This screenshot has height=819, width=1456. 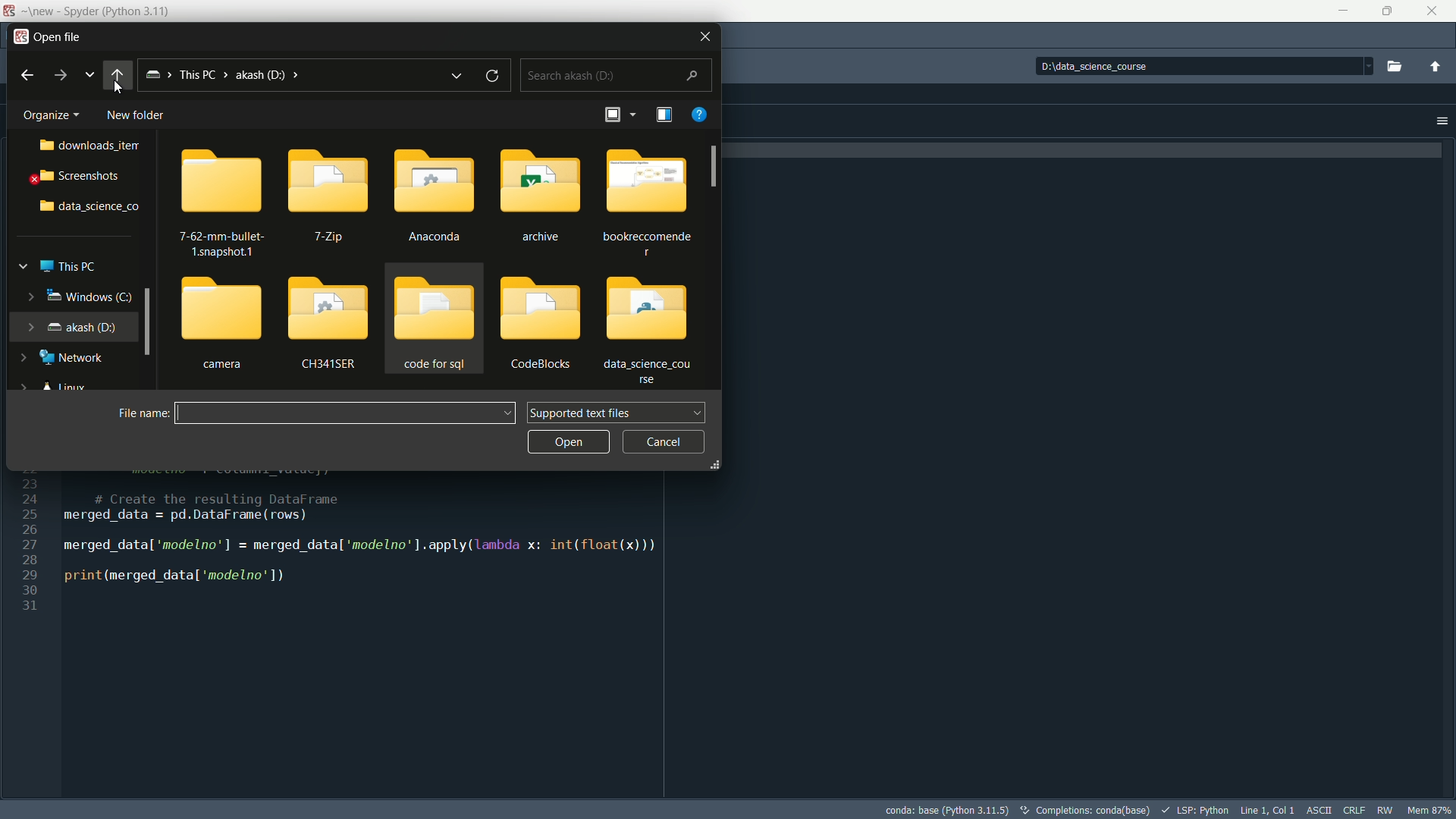 I want to click on search bar, so click(x=613, y=75).